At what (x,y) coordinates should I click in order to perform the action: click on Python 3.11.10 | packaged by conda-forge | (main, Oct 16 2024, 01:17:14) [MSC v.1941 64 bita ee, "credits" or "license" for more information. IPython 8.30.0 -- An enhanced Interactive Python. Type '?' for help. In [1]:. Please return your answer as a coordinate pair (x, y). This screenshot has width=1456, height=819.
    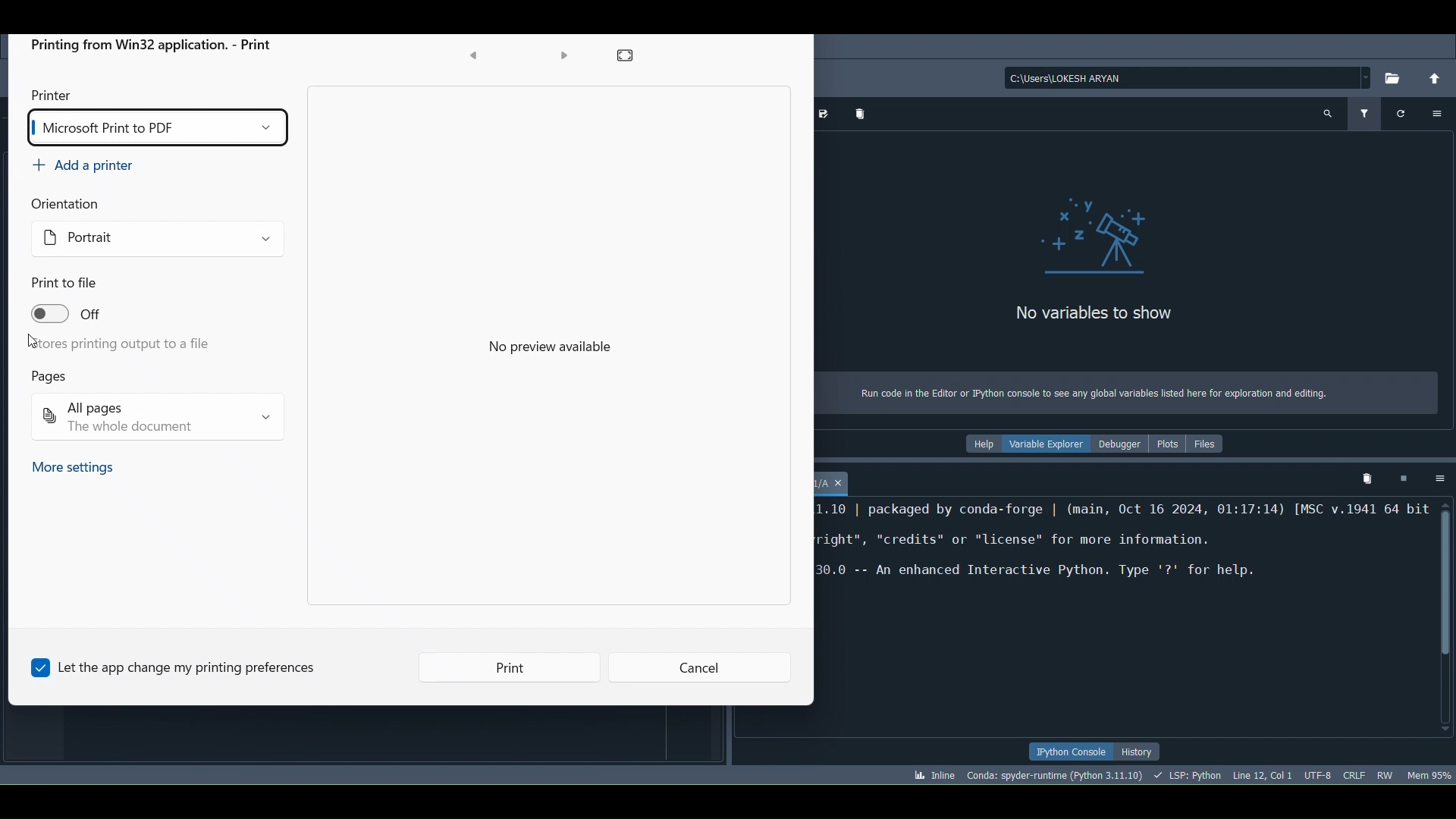
    Looking at the image, I should click on (1122, 566).